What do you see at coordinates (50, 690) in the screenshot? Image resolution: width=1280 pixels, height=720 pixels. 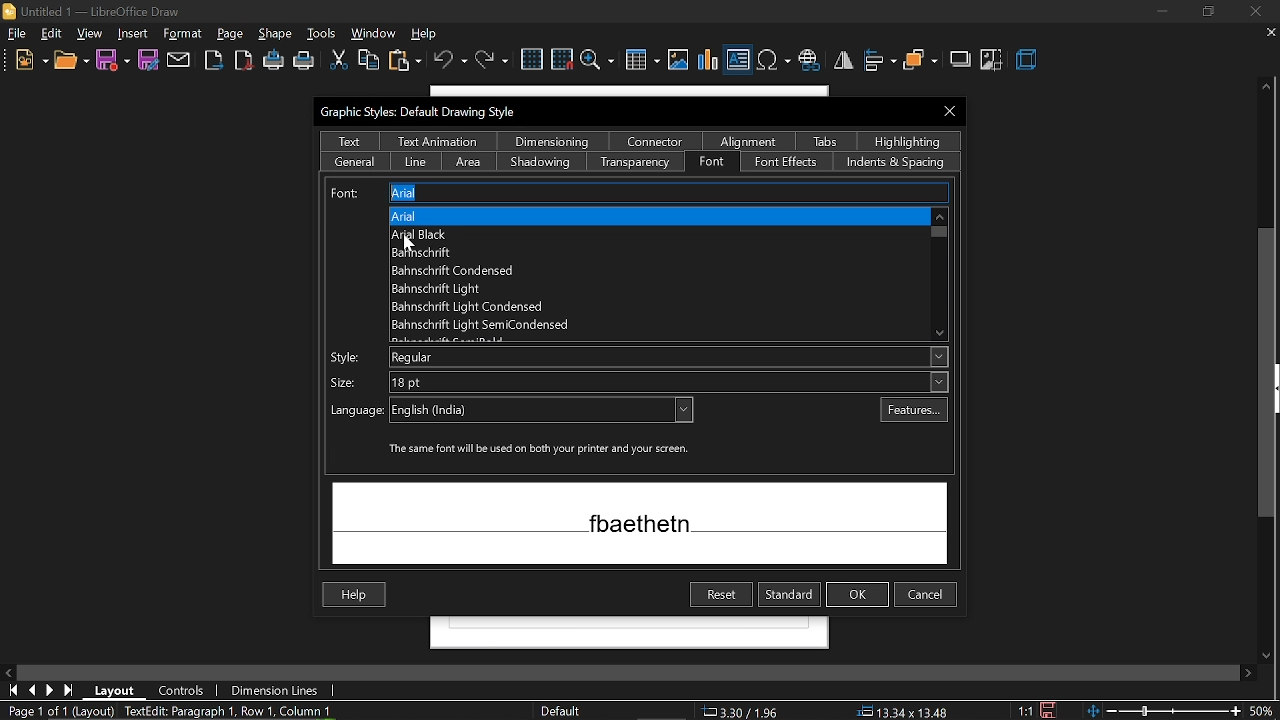 I see `next page` at bounding box center [50, 690].